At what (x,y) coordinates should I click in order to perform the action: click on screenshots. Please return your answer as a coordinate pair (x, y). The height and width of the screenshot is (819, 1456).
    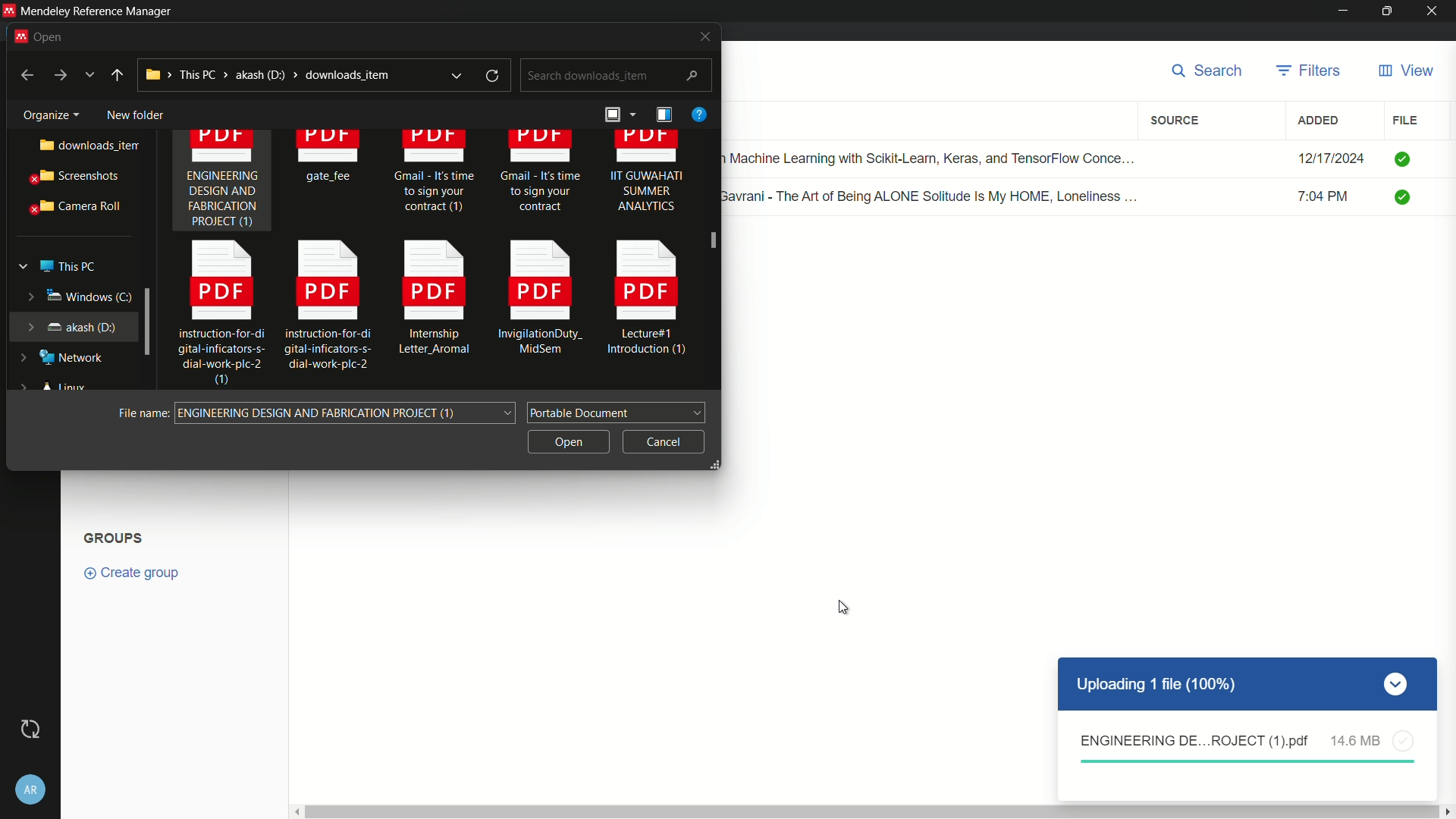
    Looking at the image, I should click on (72, 177).